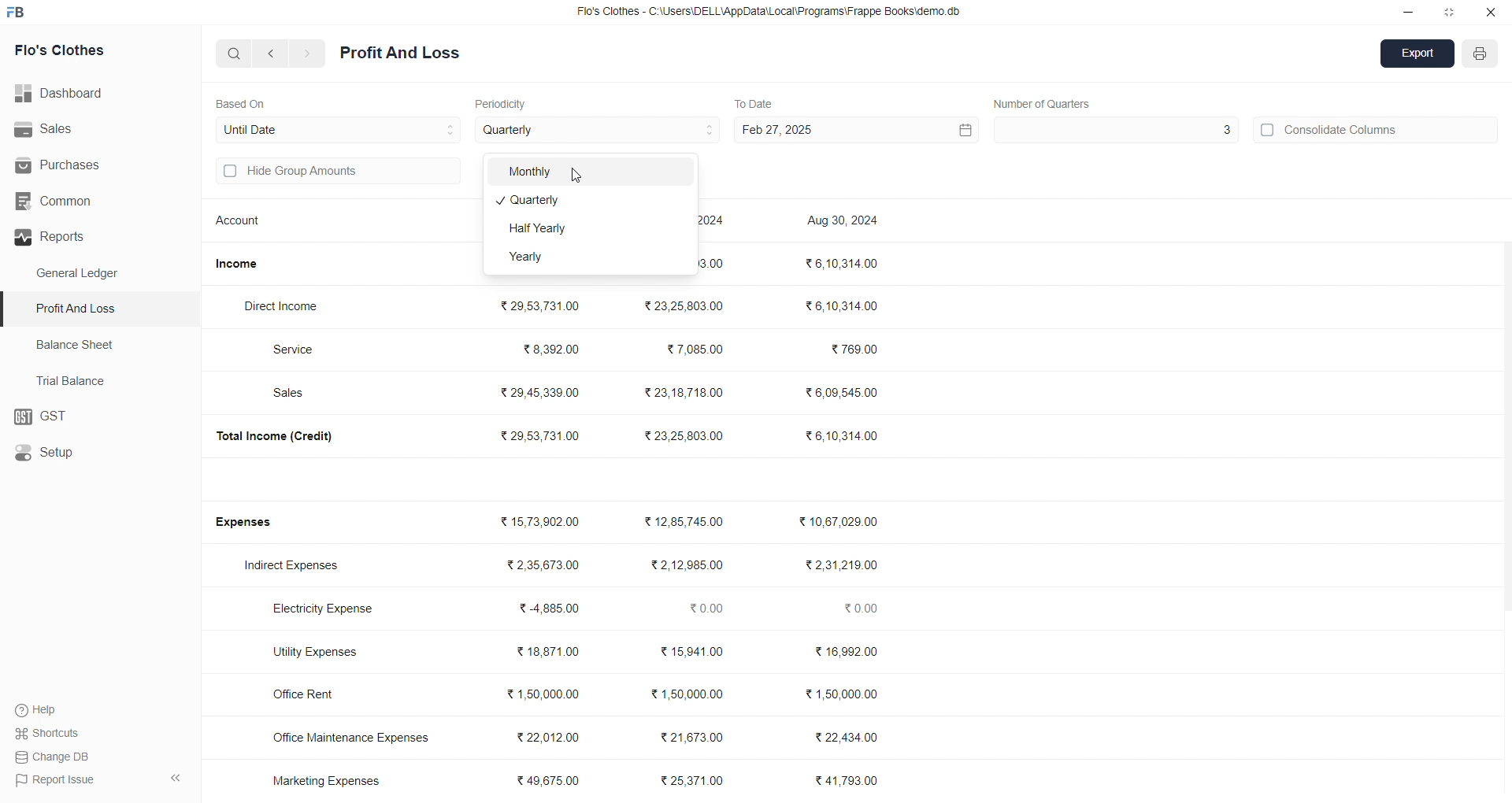 The image size is (1512, 803). What do you see at coordinates (543, 694) in the screenshot?
I see `₹150,000.00` at bounding box center [543, 694].